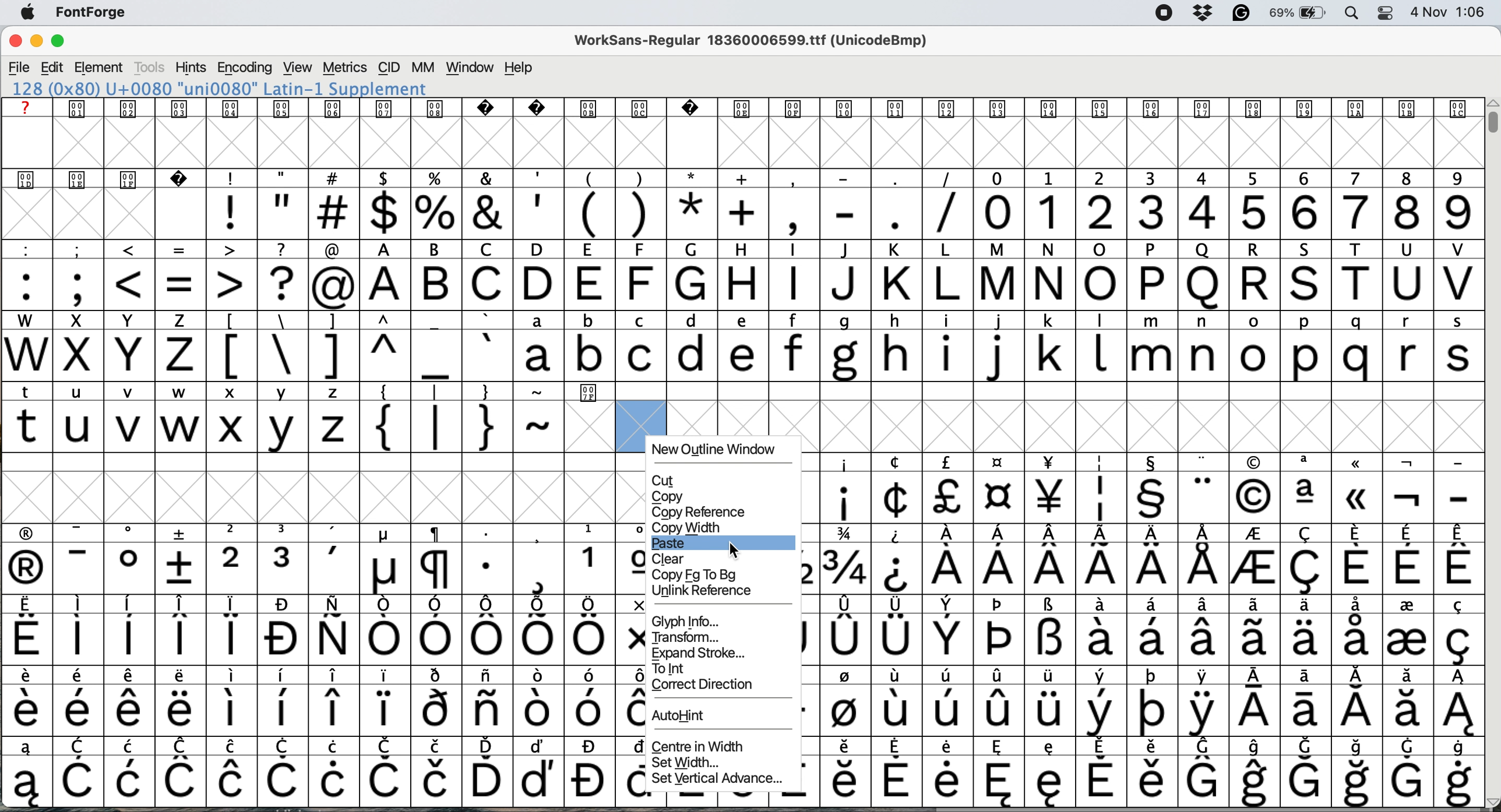 This screenshot has height=812, width=1501. What do you see at coordinates (688, 528) in the screenshot?
I see `copy width` at bounding box center [688, 528].